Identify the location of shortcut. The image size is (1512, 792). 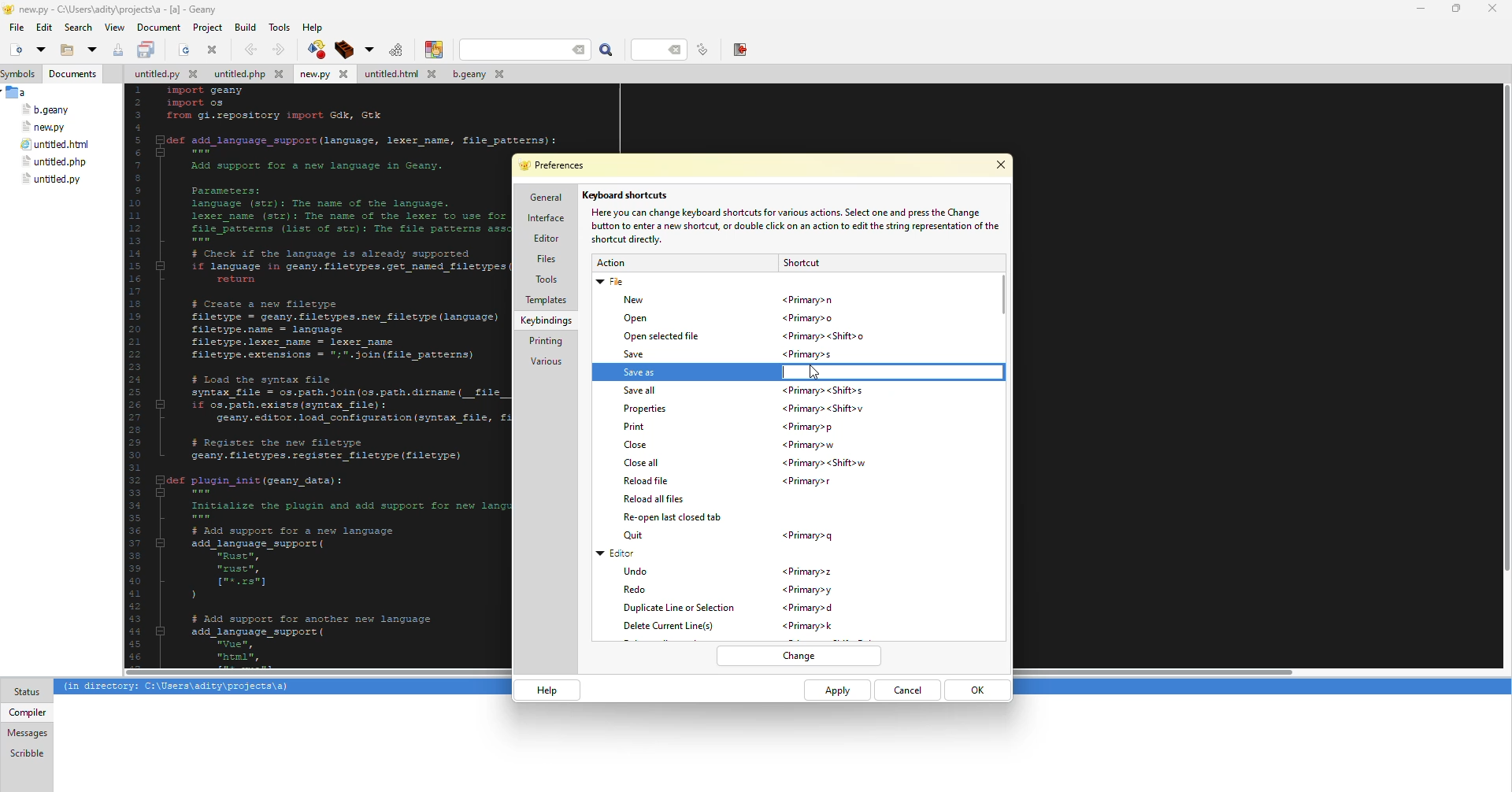
(825, 463).